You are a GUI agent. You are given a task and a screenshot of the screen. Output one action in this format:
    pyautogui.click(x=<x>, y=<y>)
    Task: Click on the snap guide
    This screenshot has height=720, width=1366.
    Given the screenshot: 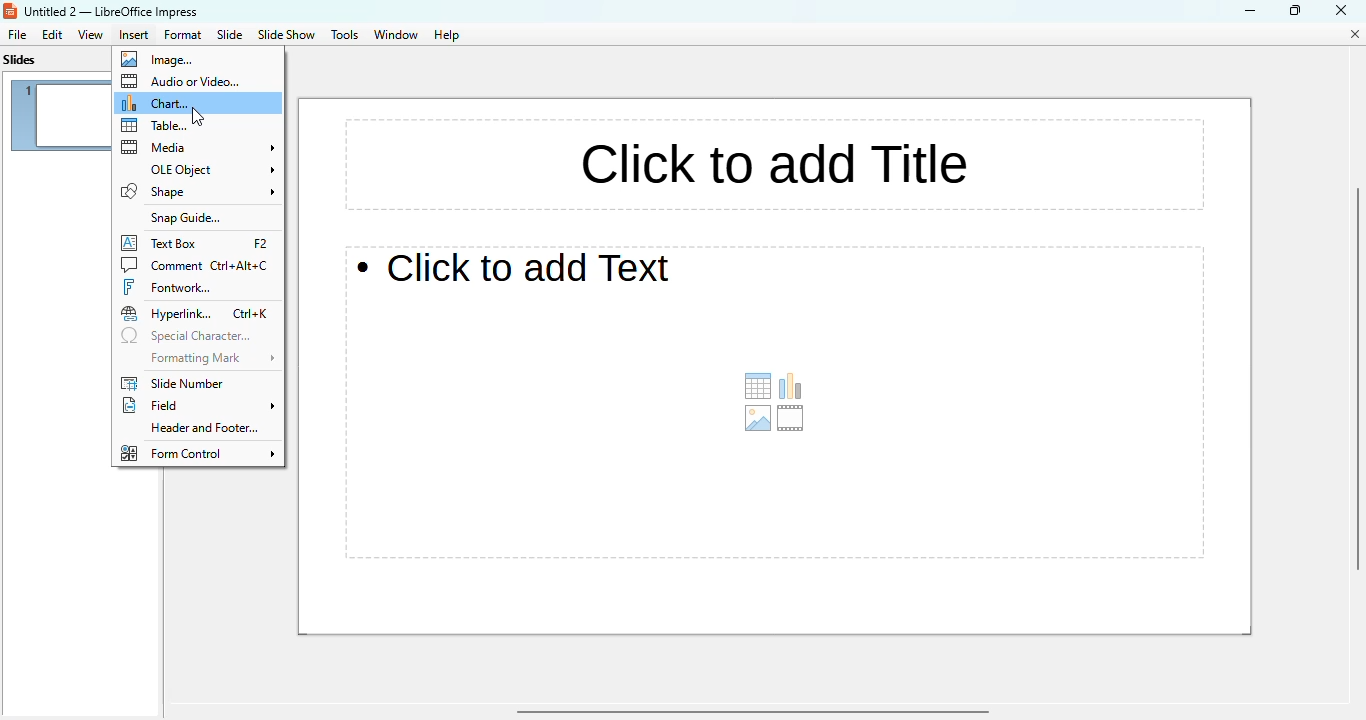 What is the action you would take?
    pyautogui.click(x=188, y=219)
    